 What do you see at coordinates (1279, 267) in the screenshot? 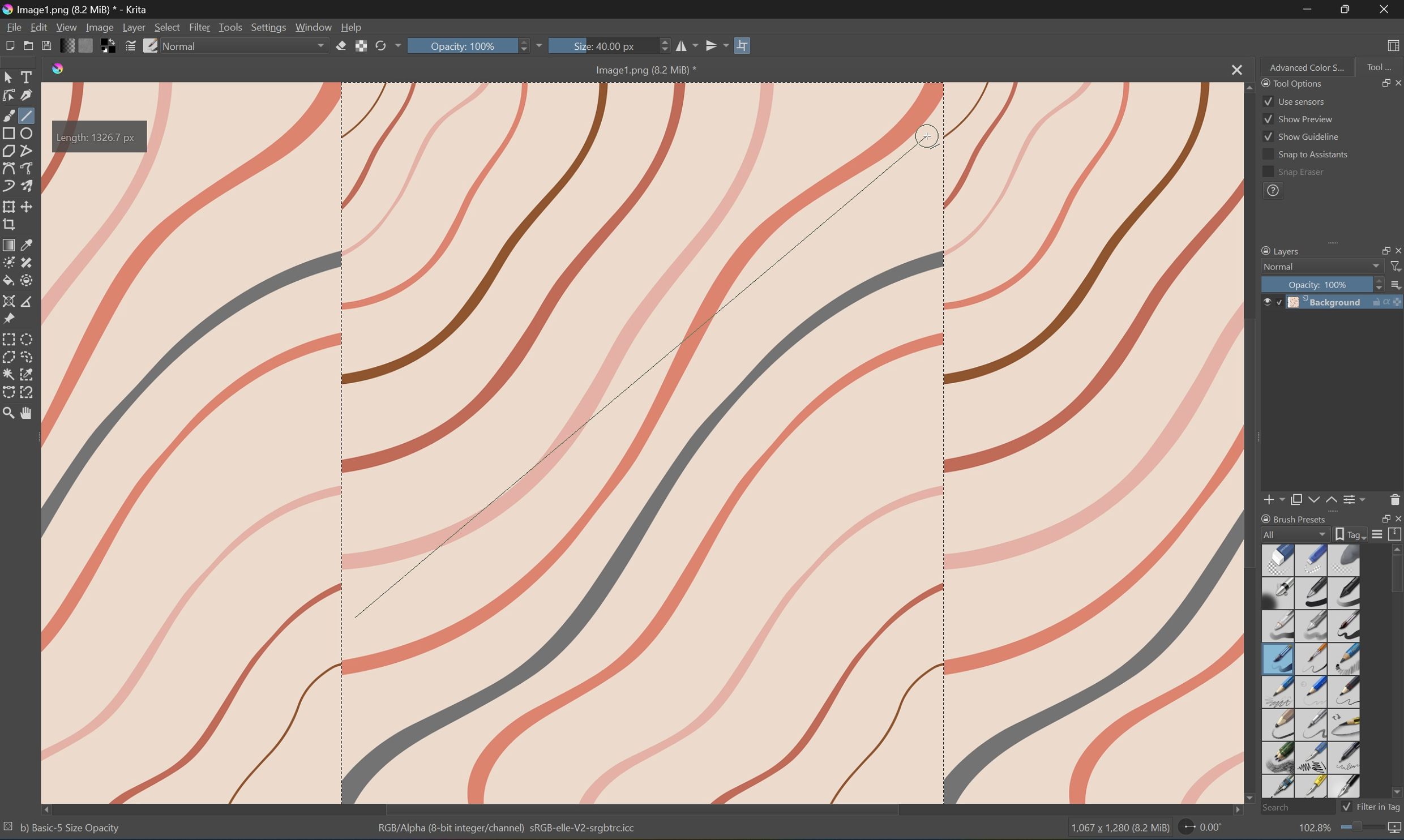
I see `Normal` at bounding box center [1279, 267].